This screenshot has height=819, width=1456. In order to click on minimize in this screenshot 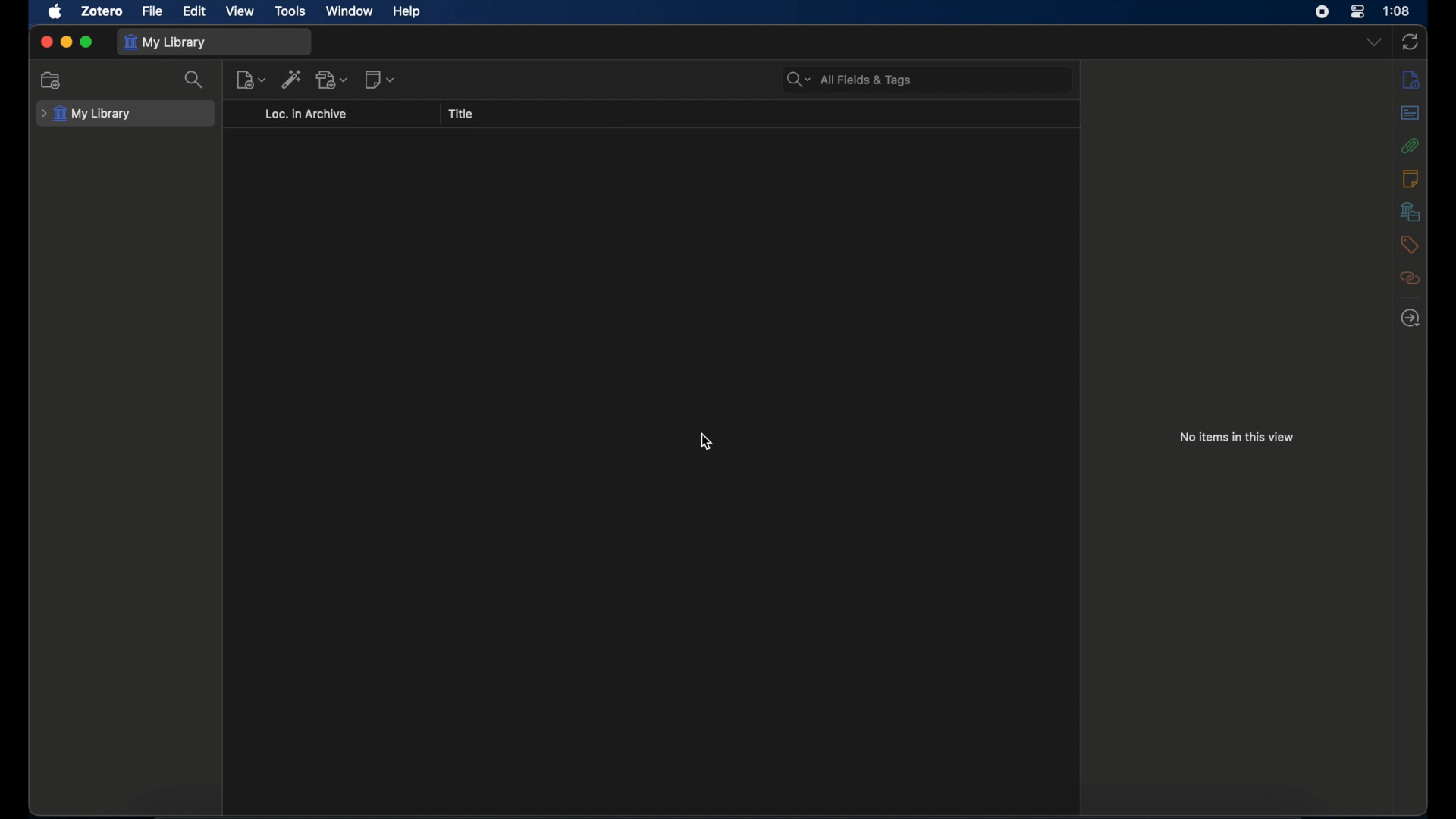, I will do `click(65, 40)`.